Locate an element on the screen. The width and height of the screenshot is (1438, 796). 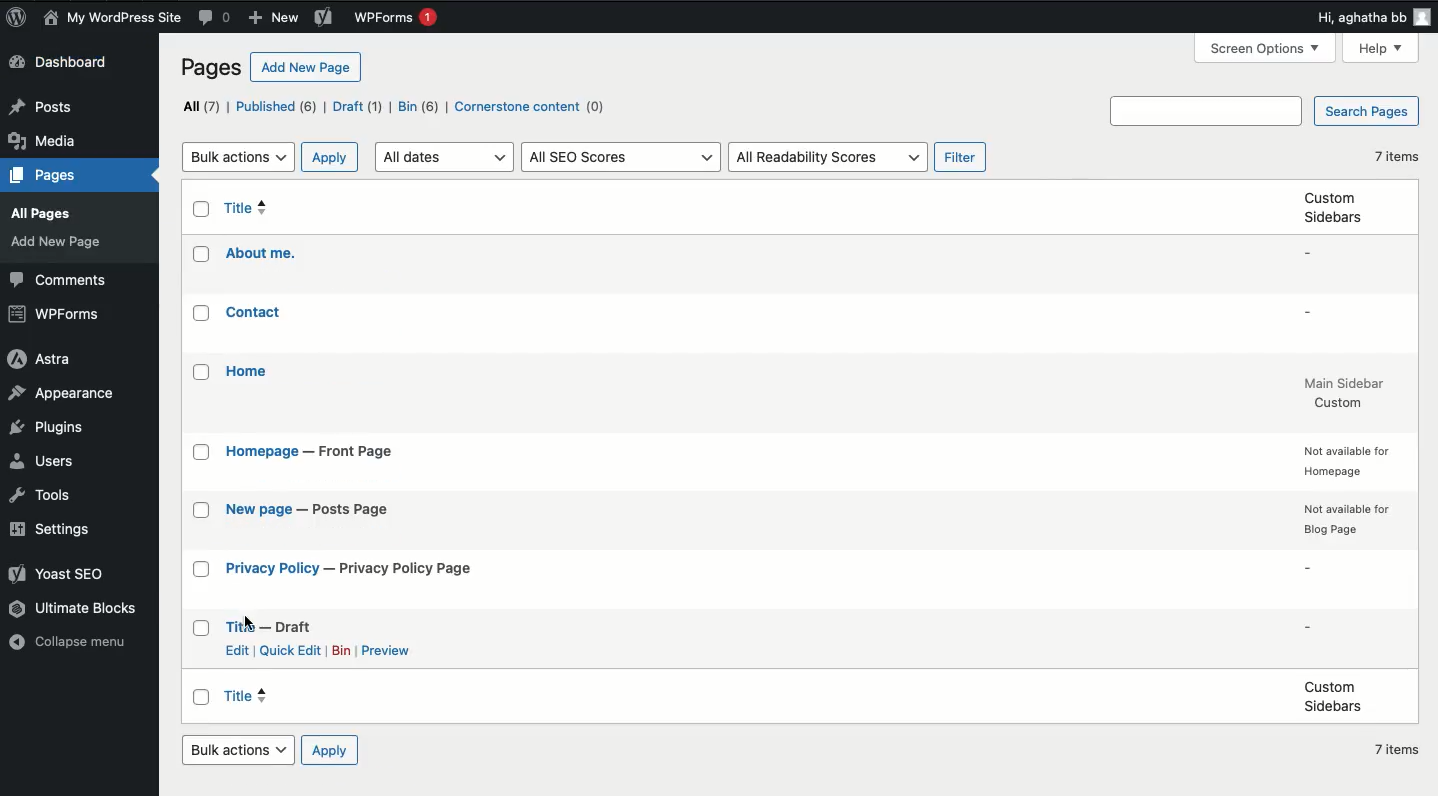
Title is located at coordinates (352, 570).